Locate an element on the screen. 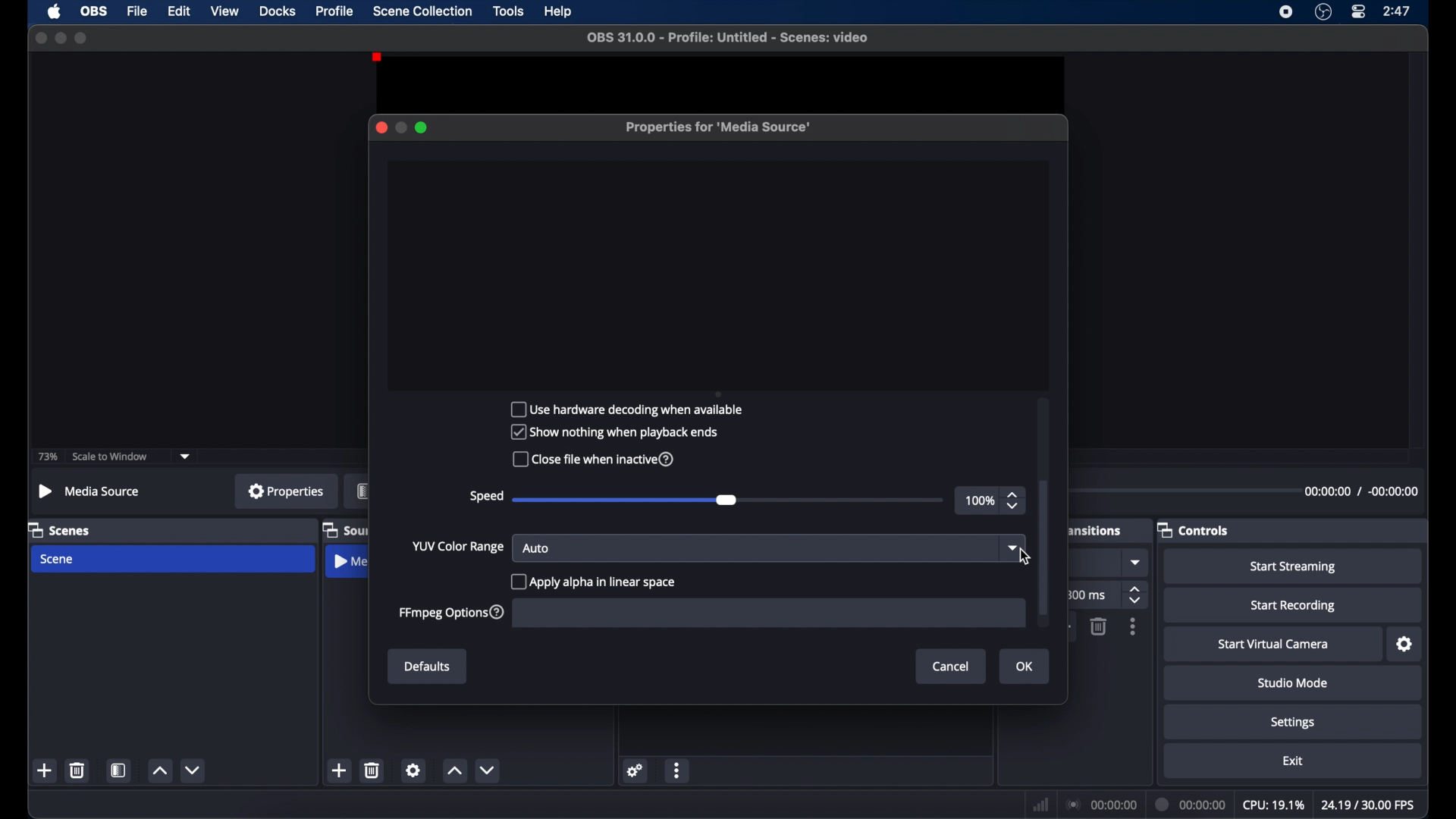 This screenshot has width=1456, height=819. duration is located at coordinates (1360, 491).